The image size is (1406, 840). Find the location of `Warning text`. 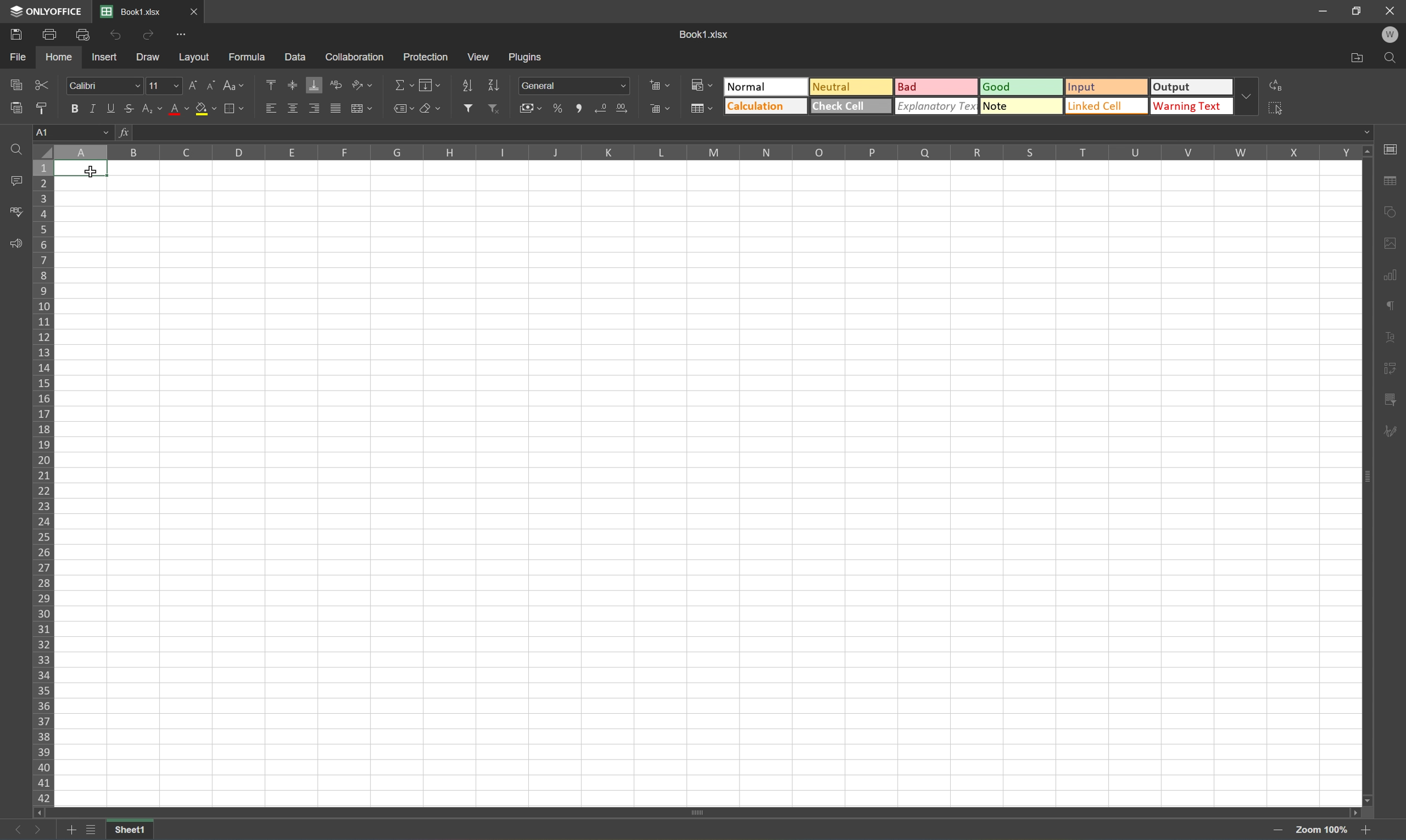

Warning text is located at coordinates (1195, 106).